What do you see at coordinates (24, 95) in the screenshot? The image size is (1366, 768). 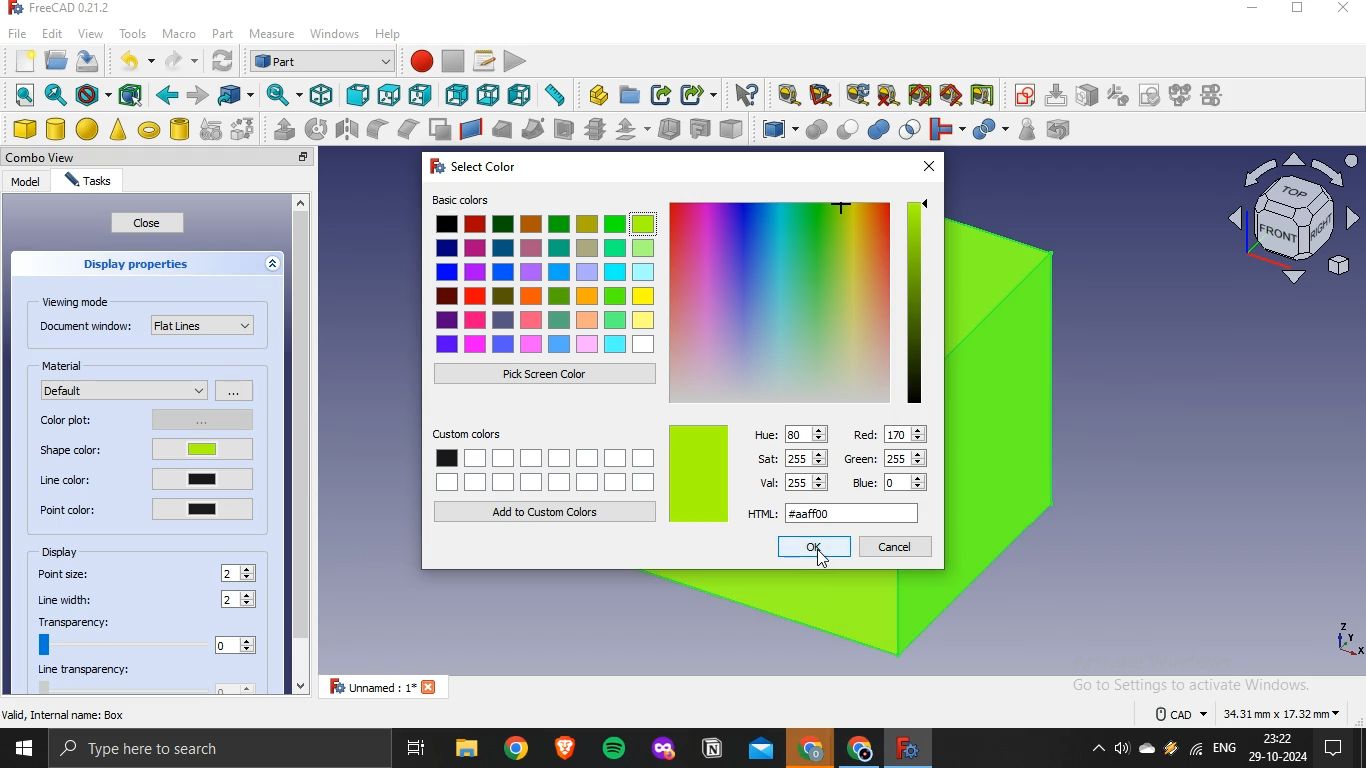 I see `fit all` at bounding box center [24, 95].